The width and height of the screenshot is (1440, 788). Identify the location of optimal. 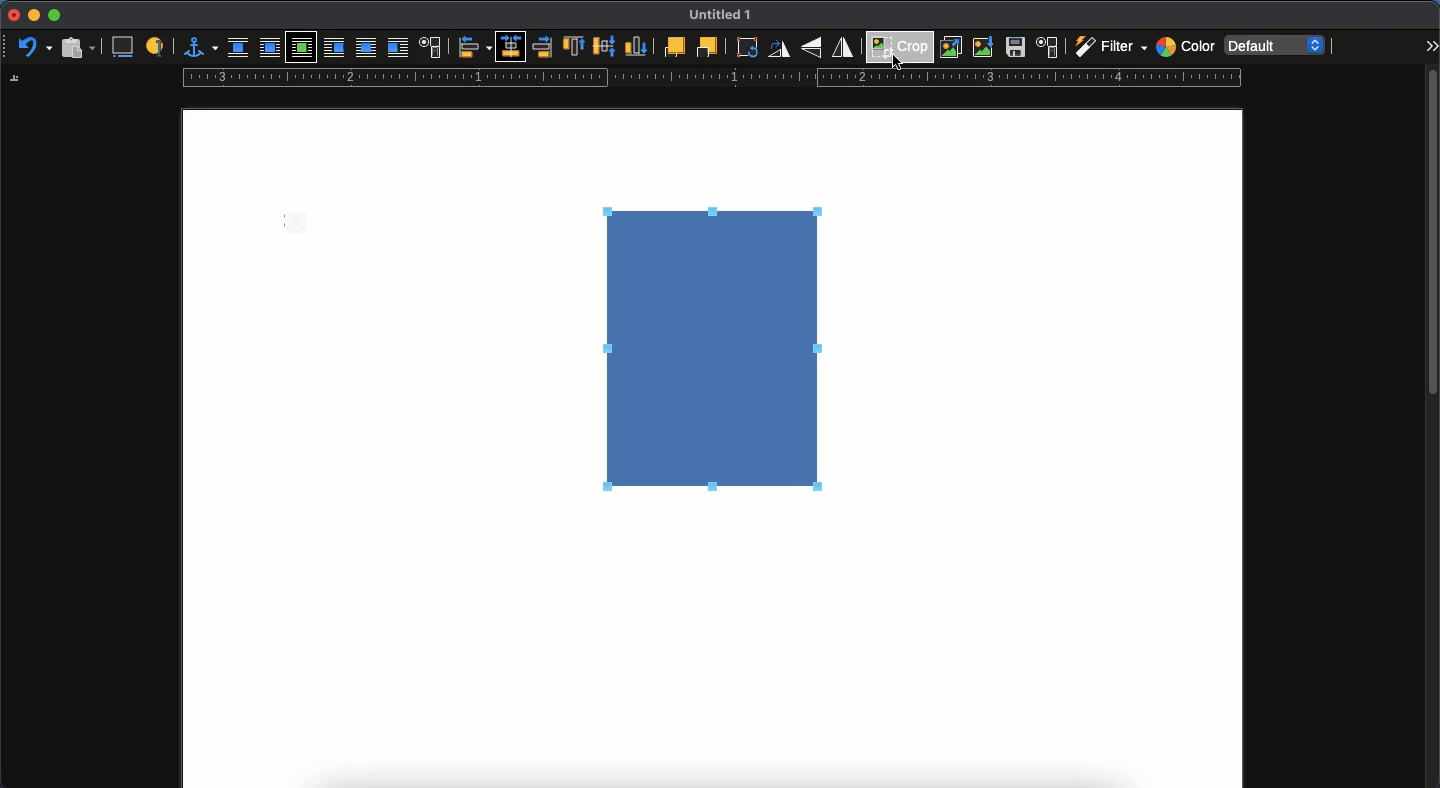
(300, 49).